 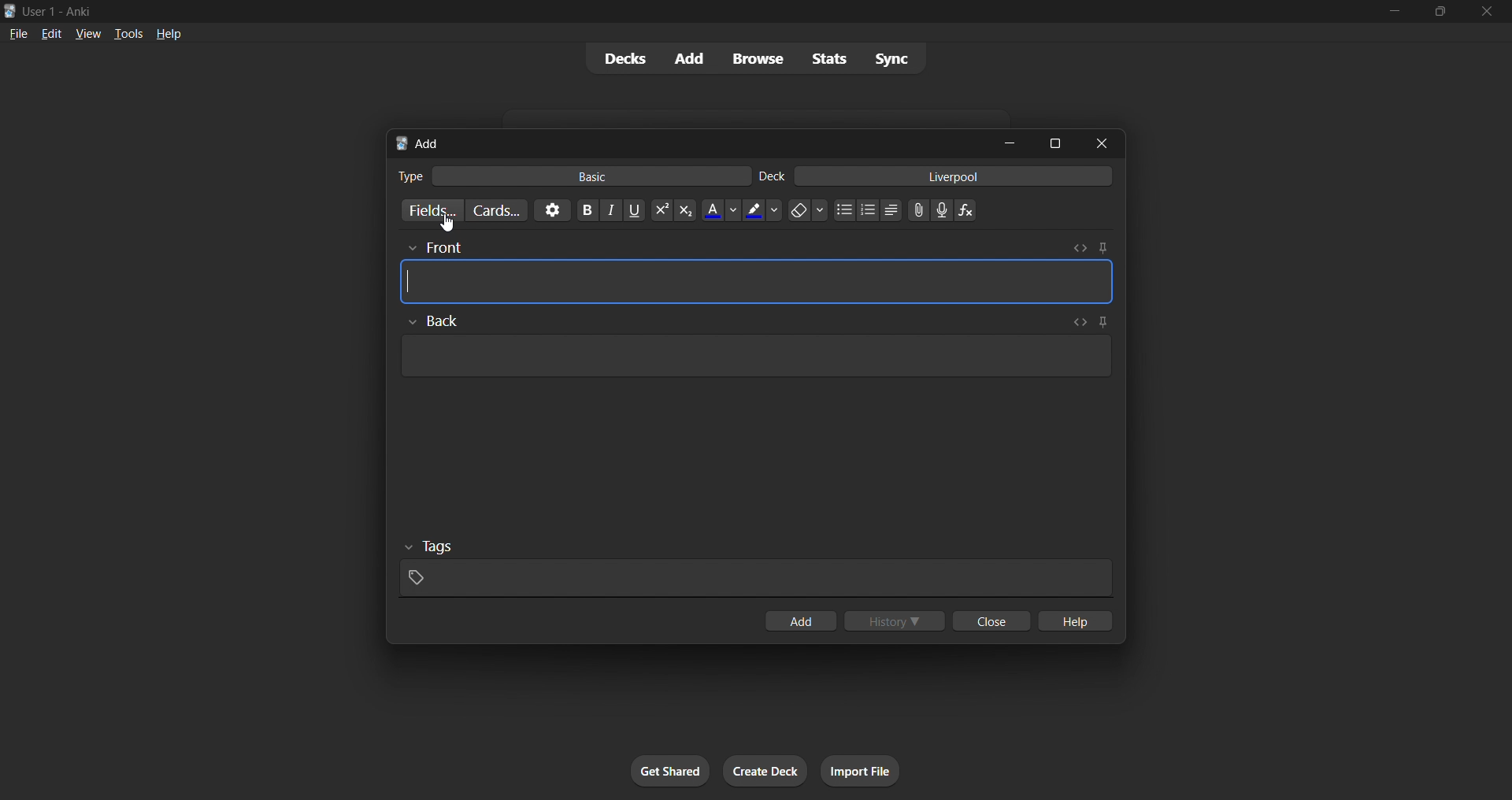 What do you see at coordinates (430, 547) in the screenshot?
I see `` at bounding box center [430, 547].